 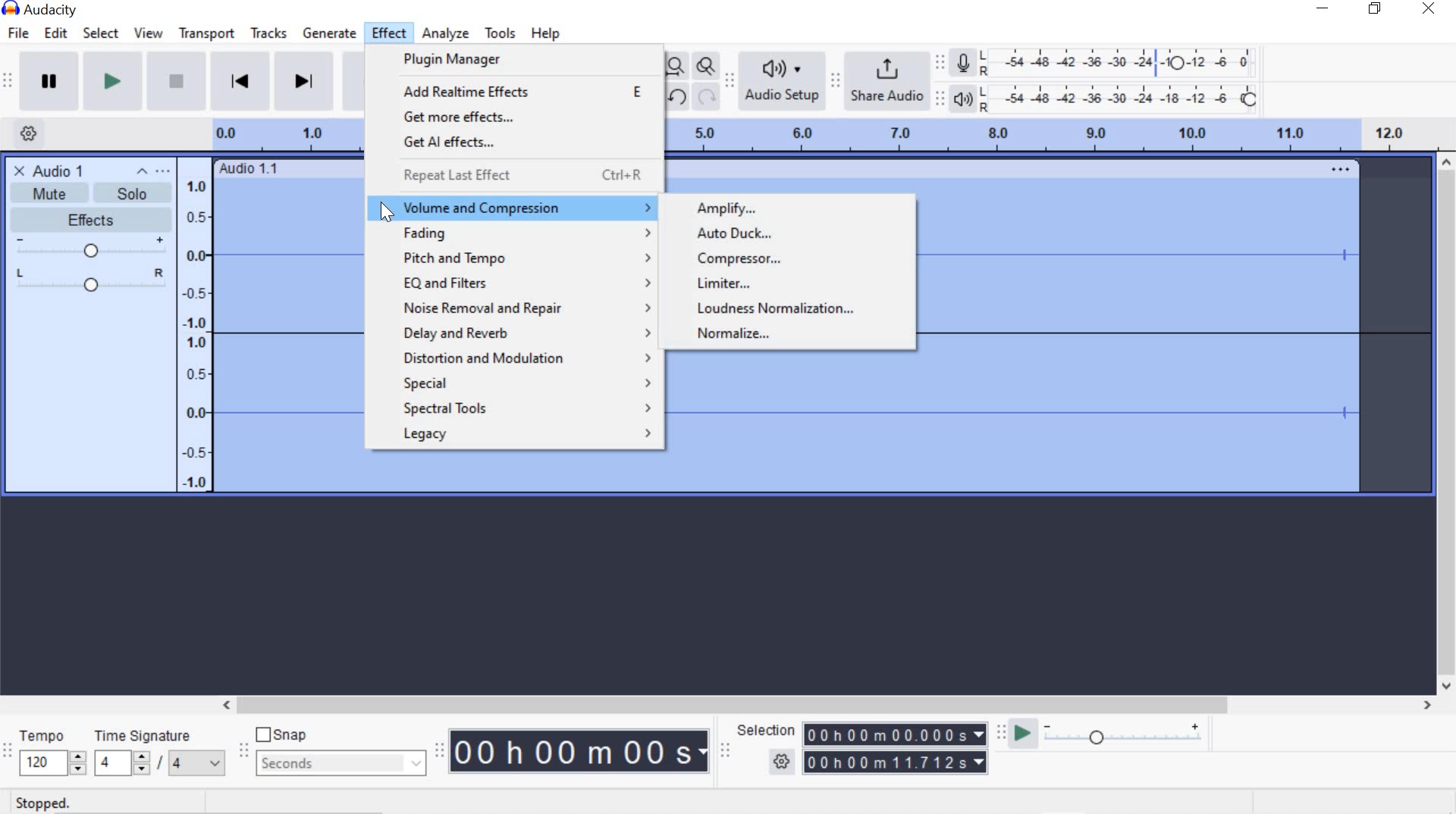 What do you see at coordinates (1124, 99) in the screenshot?
I see `Playback level` at bounding box center [1124, 99].